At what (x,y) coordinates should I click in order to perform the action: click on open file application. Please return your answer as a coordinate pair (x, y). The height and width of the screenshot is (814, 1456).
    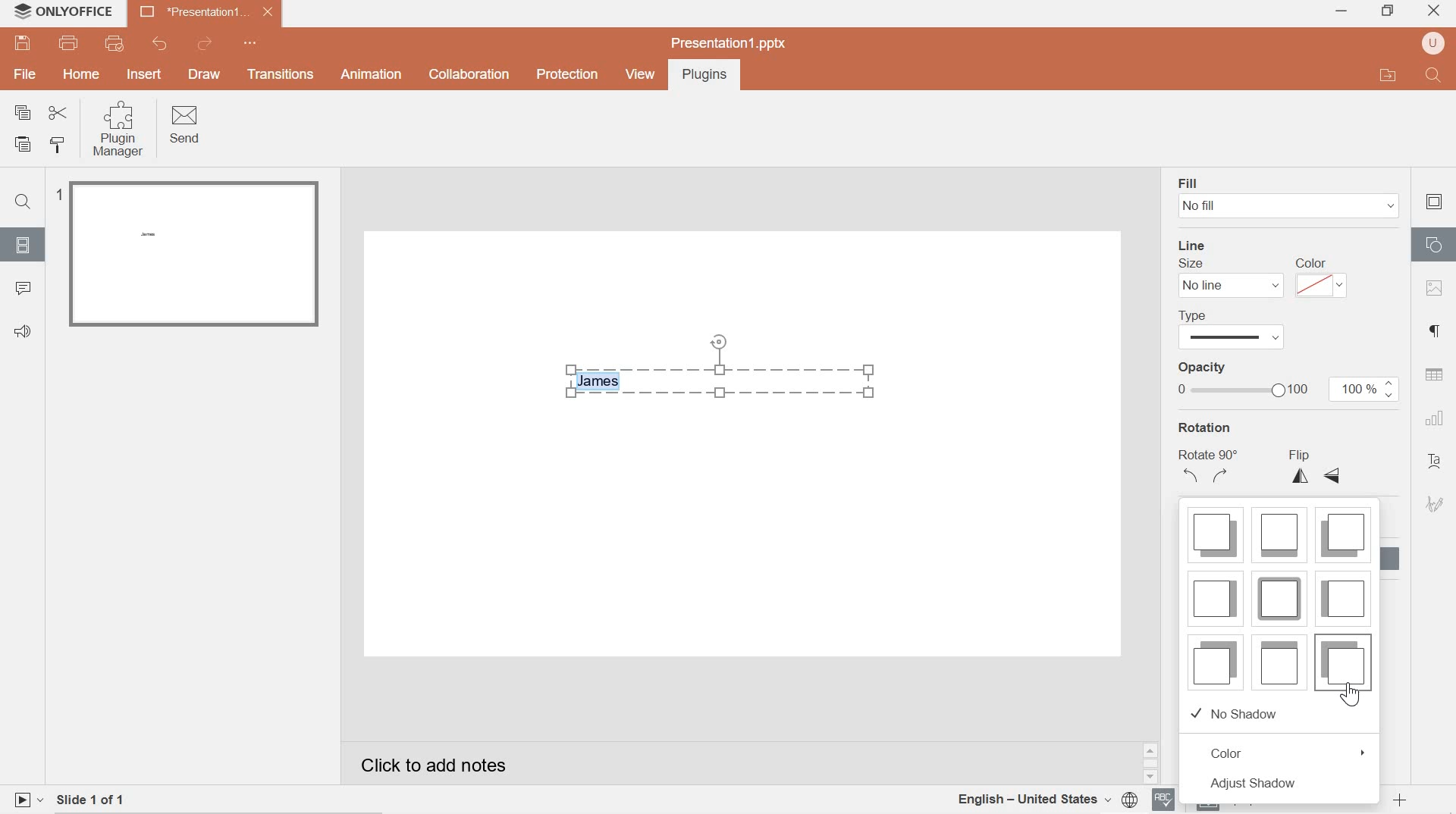
    Looking at the image, I should click on (1386, 75).